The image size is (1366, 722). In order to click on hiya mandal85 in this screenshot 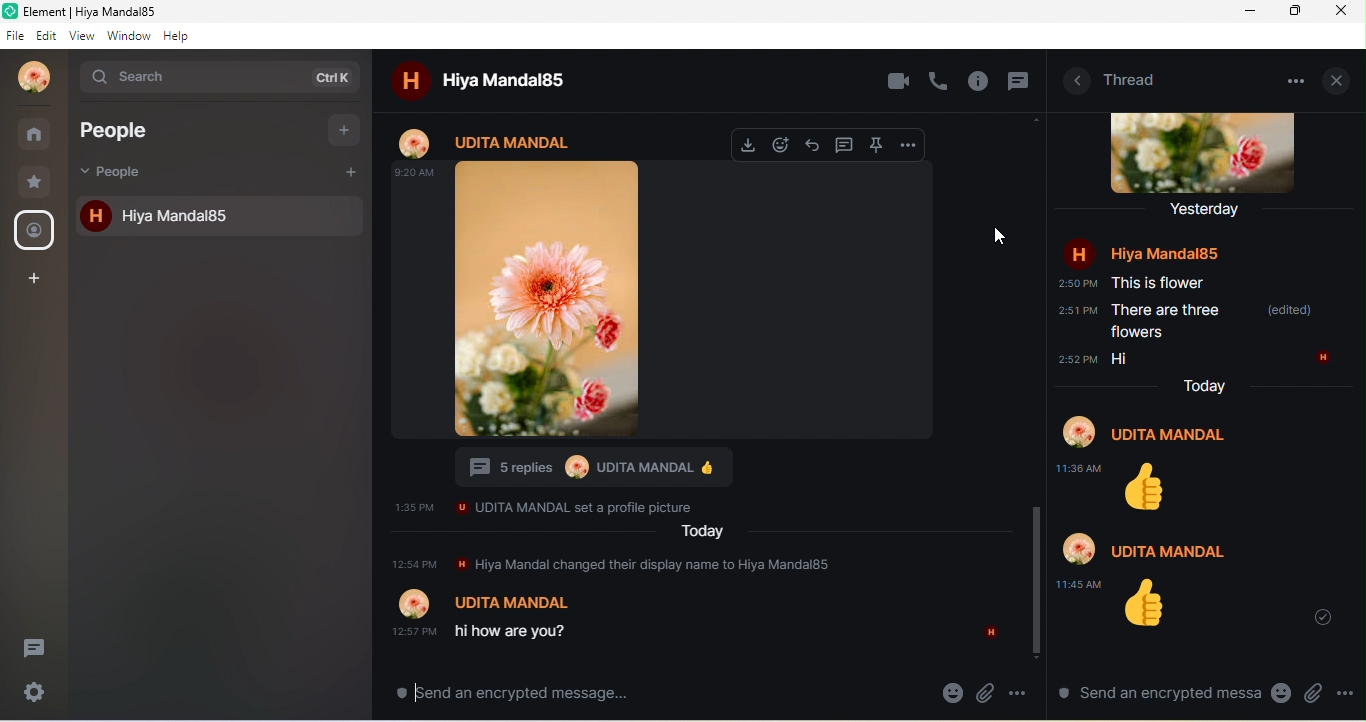, I will do `click(511, 79)`.